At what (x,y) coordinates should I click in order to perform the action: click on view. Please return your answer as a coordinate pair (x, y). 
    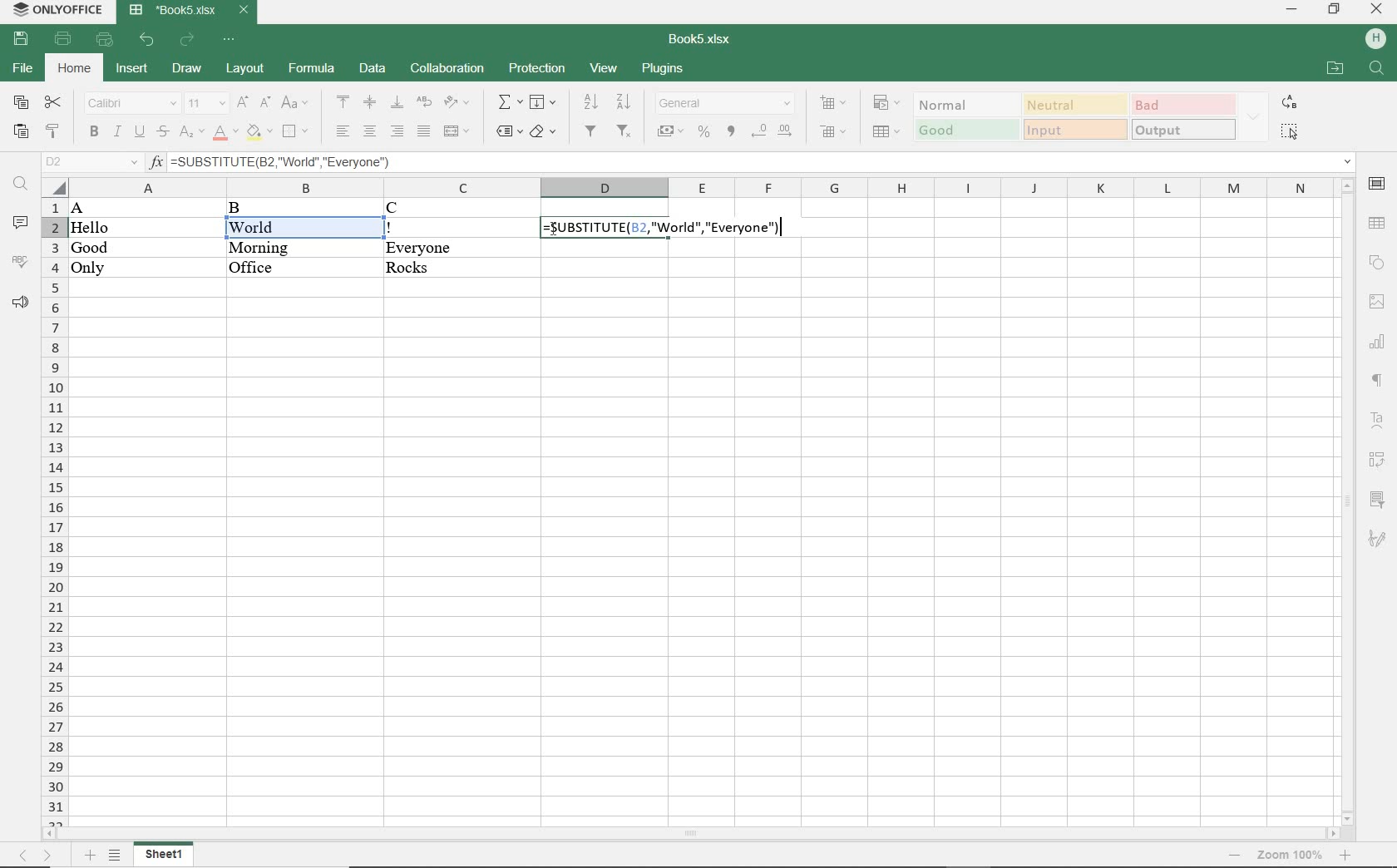
    Looking at the image, I should click on (605, 69).